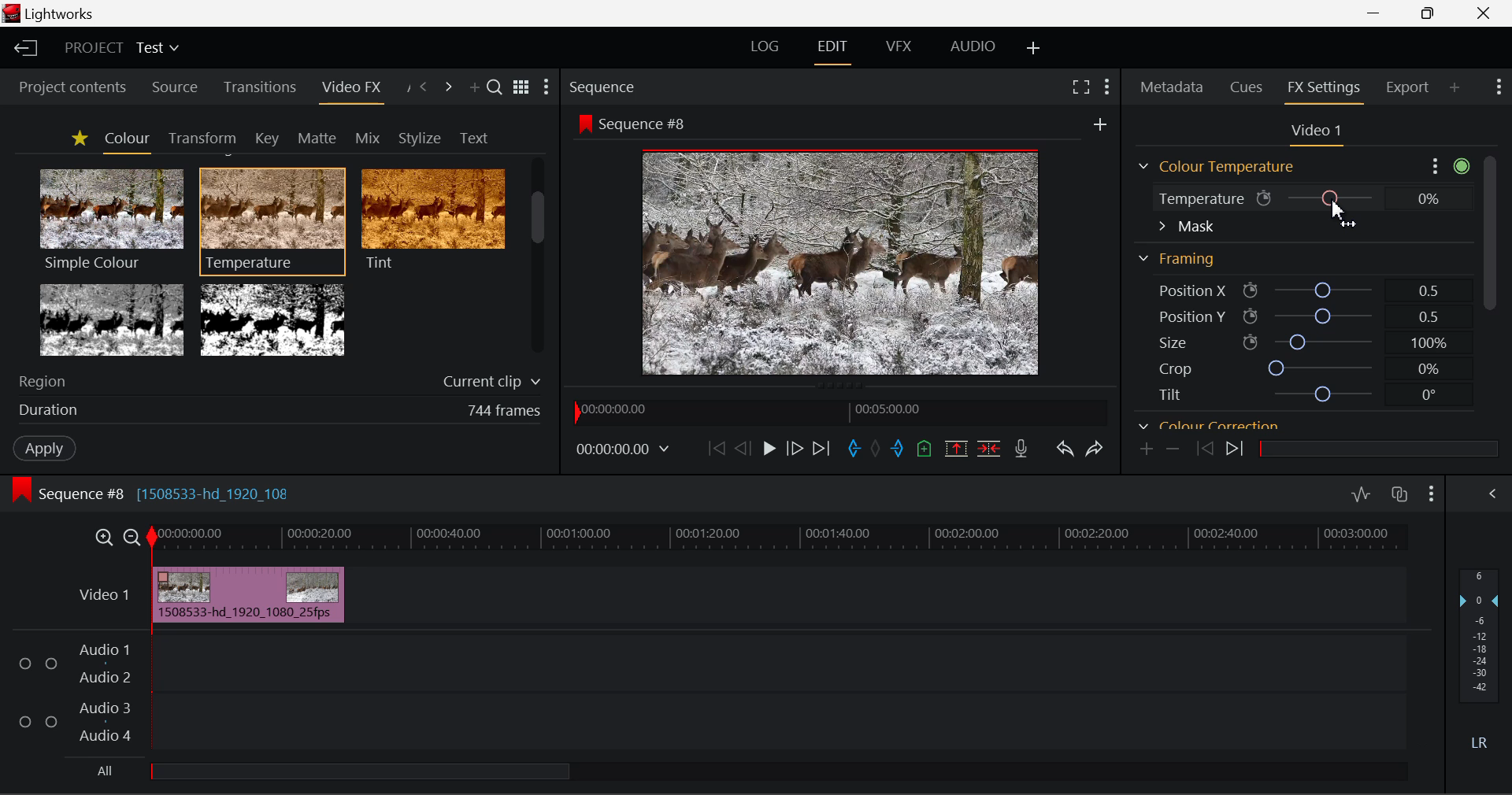 The height and width of the screenshot is (795, 1512). What do you see at coordinates (77, 139) in the screenshot?
I see `Favorites` at bounding box center [77, 139].